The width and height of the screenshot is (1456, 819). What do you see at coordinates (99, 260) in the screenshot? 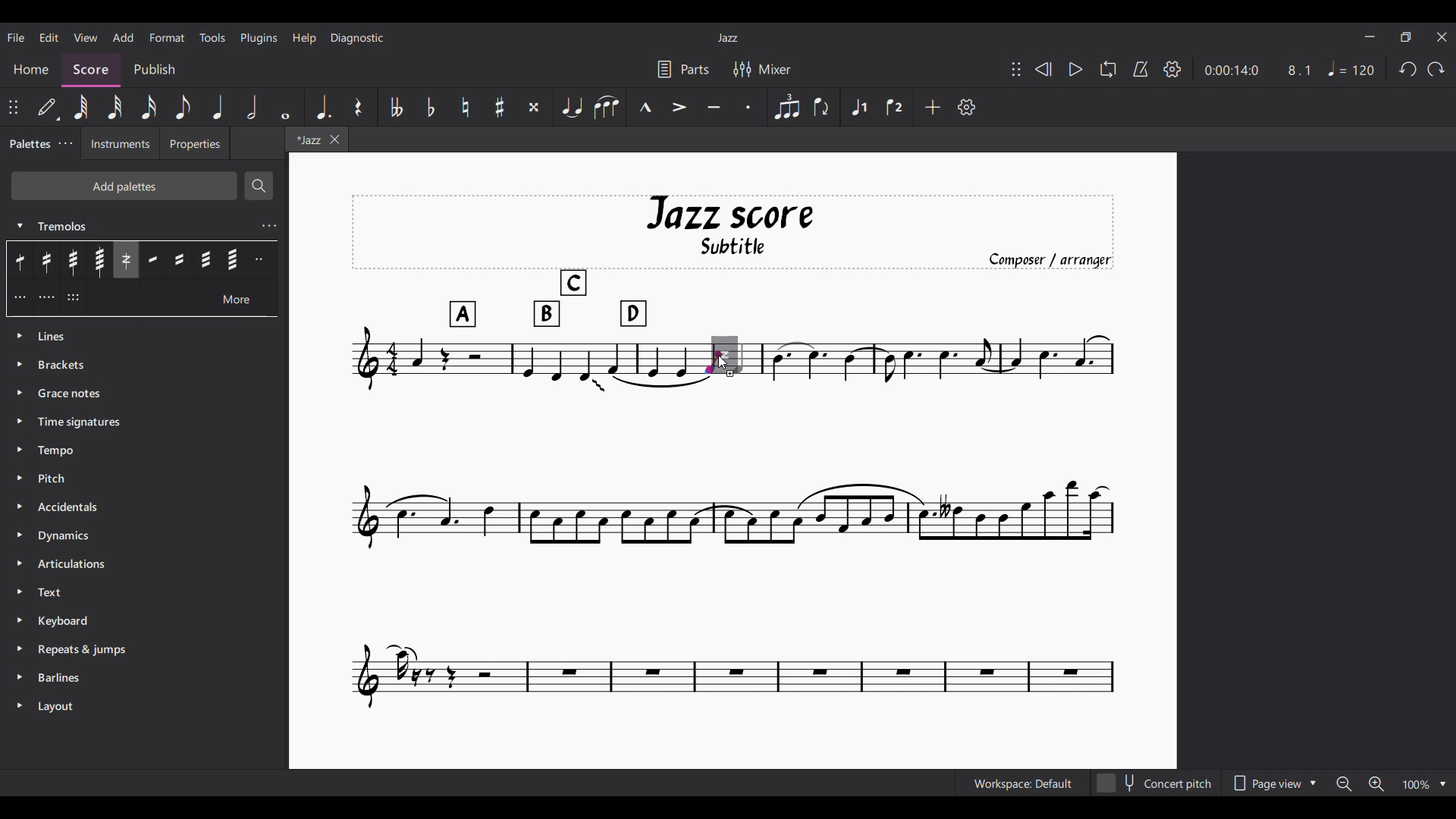
I see `64th through stem` at bounding box center [99, 260].